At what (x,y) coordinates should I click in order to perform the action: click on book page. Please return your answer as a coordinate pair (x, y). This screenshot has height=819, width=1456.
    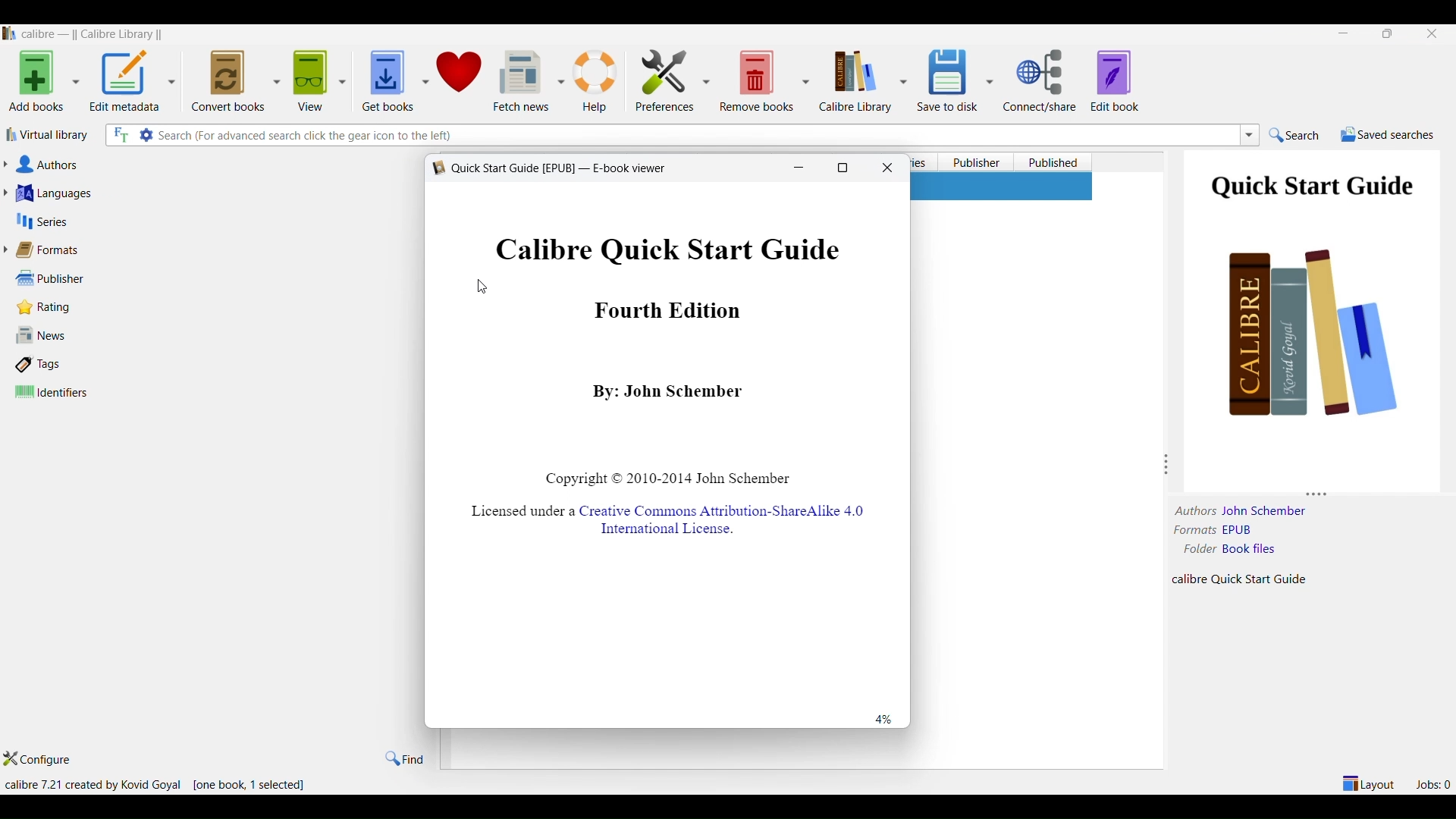
    Looking at the image, I should click on (1313, 296).